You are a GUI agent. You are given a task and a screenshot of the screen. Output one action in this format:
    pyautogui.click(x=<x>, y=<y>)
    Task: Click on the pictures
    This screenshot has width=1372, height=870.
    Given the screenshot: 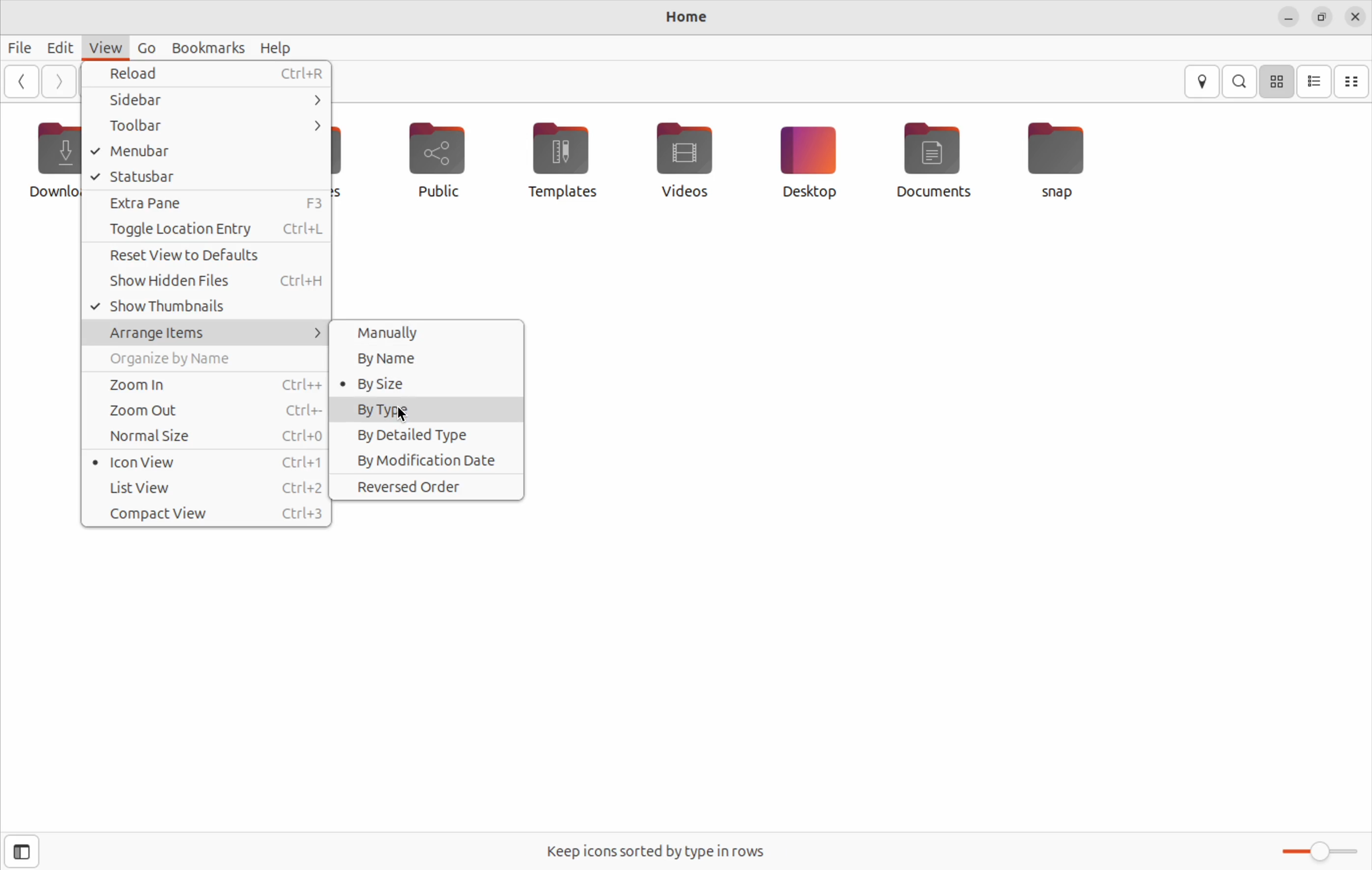 What is the action you would take?
    pyautogui.click(x=354, y=158)
    